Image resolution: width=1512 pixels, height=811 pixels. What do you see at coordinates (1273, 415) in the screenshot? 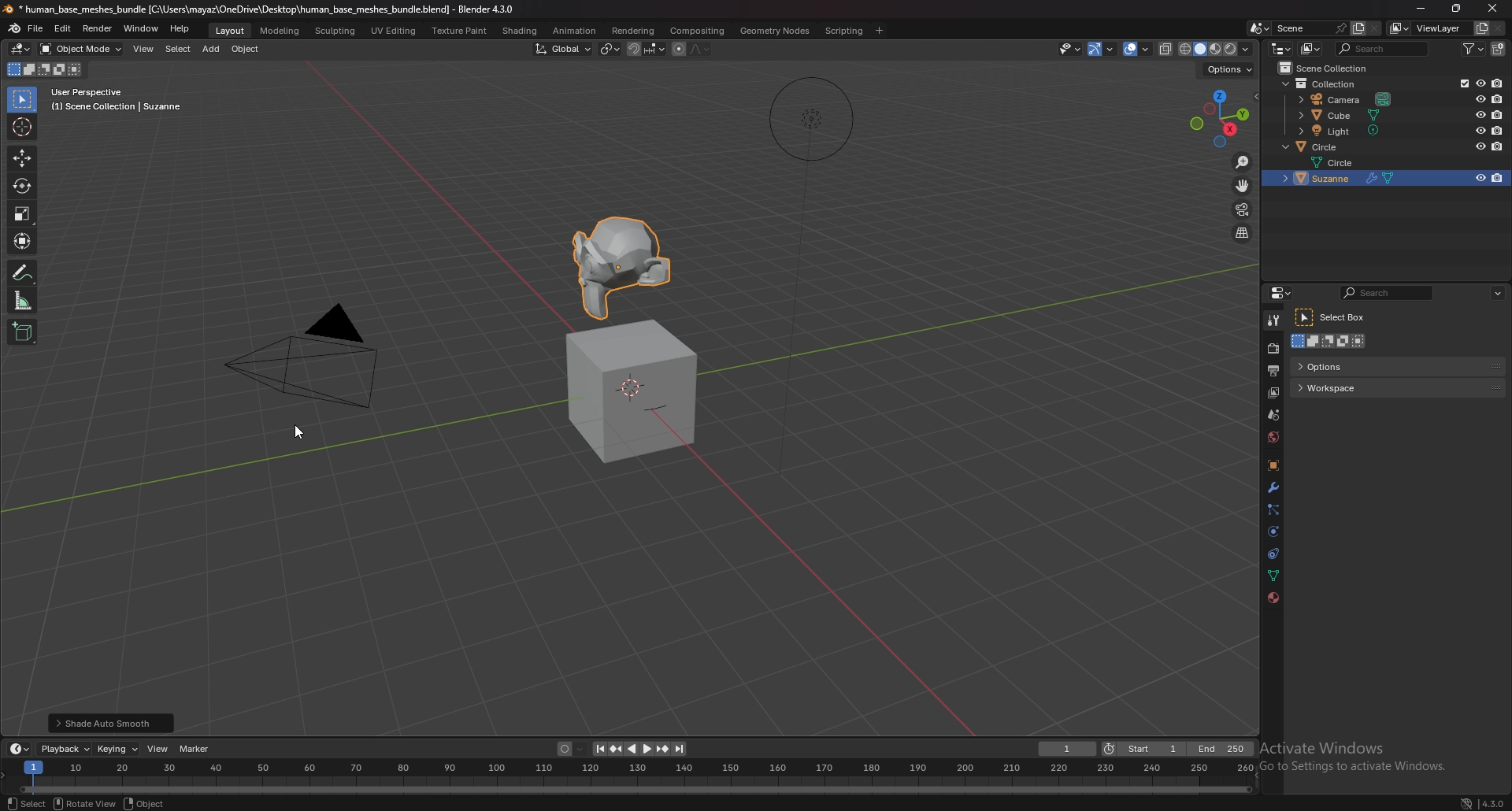
I see `scene` at bounding box center [1273, 415].